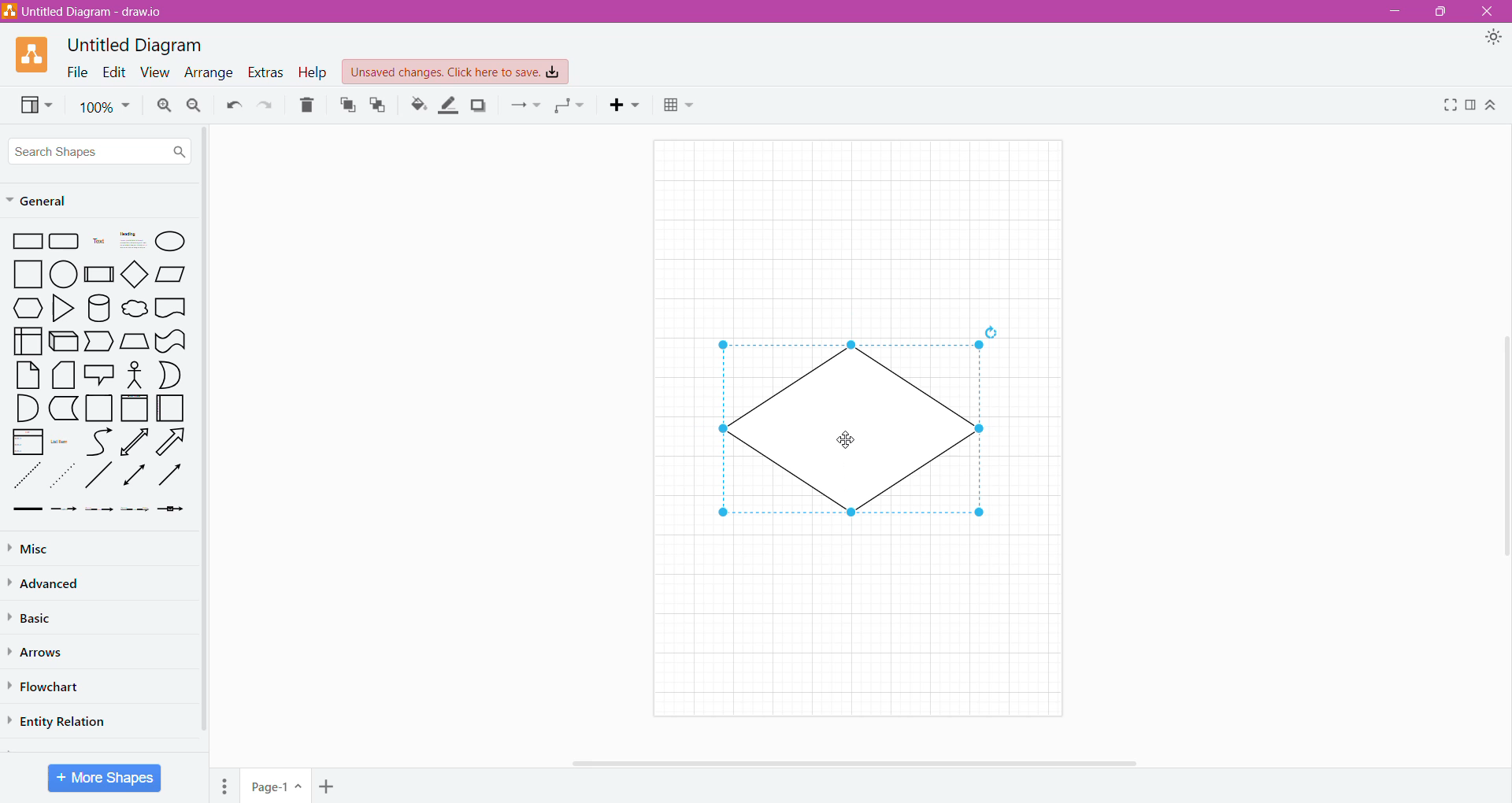 This screenshot has height=803, width=1512. I want to click on Rounded Rectangle, so click(65, 242).